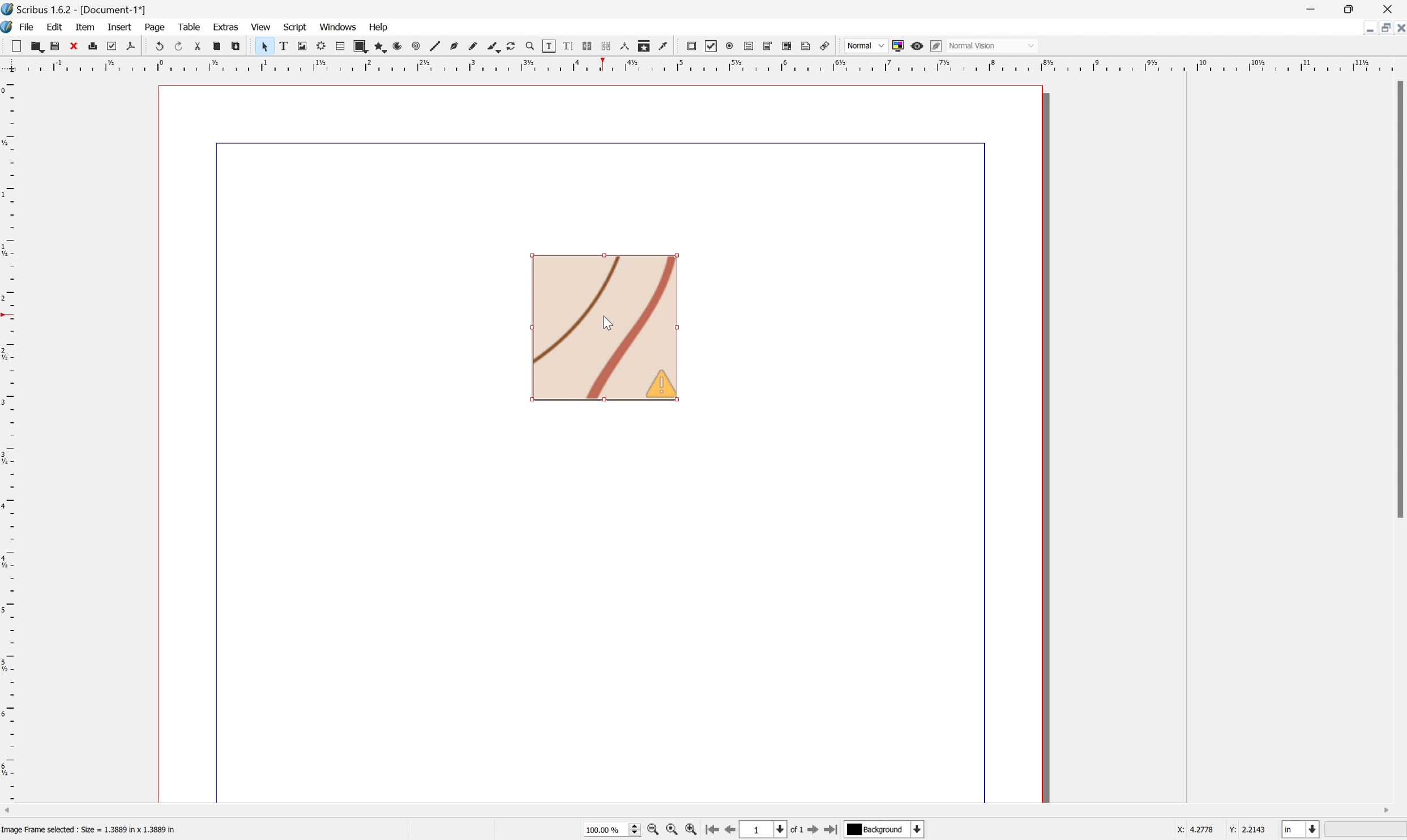  What do you see at coordinates (703, 808) in the screenshot?
I see `Scroll bar` at bounding box center [703, 808].